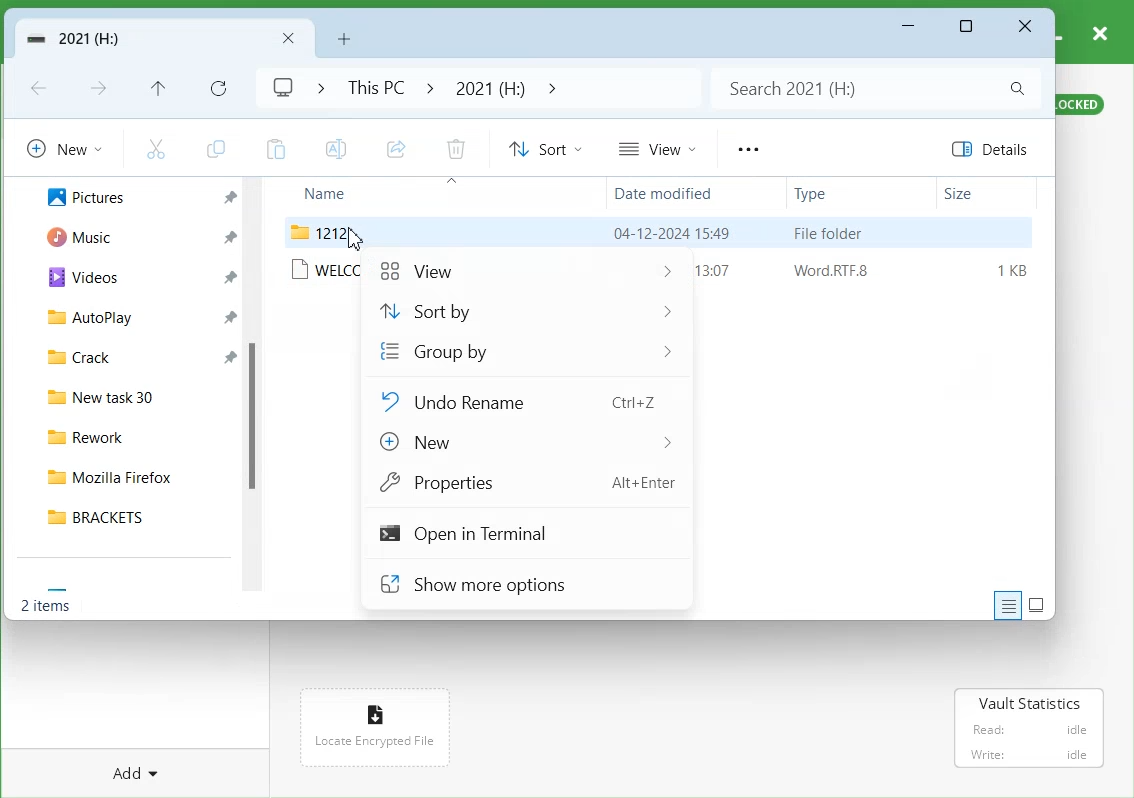 This screenshot has width=1134, height=798. What do you see at coordinates (41, 89) in the screenshot?
I see `Go Back ` at bounding box center [41, 89].